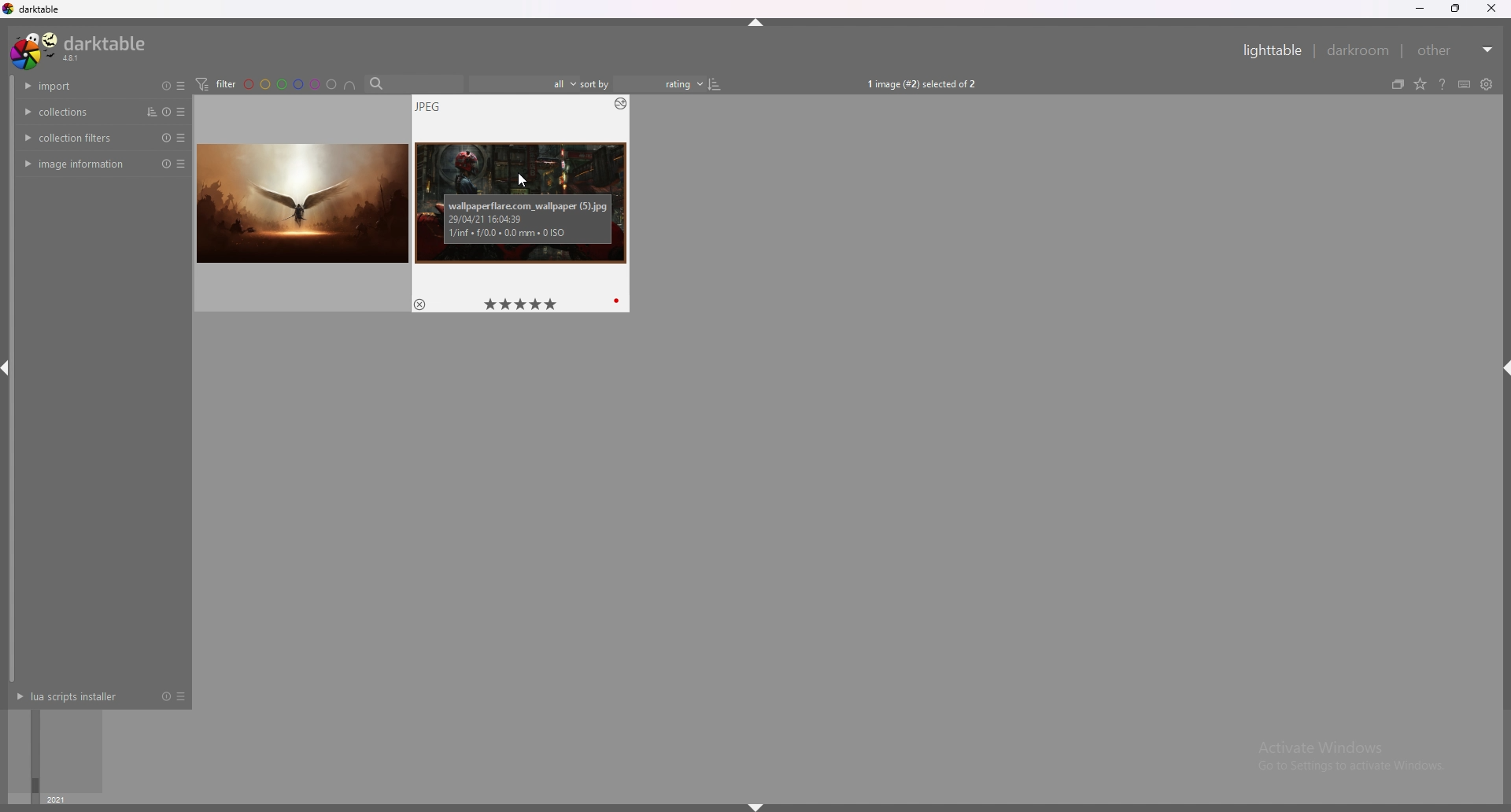  I want to click on filter, so click(216, 83).